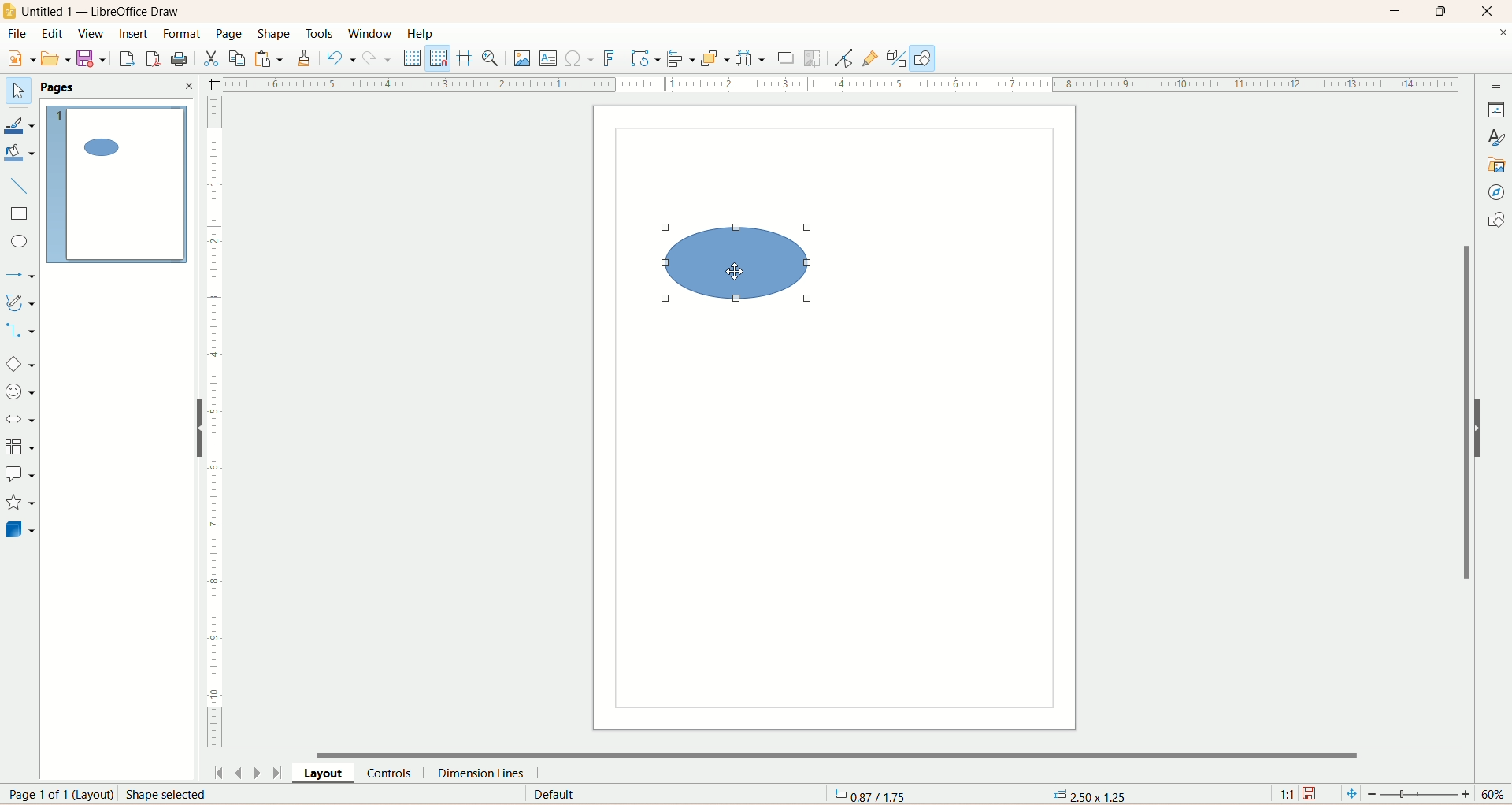 This screenshot has height=805, width=1512. What do you see at coordinates (442, 60) in the screenshot?
I see `snap to grid` at bounding box center [442, 60].